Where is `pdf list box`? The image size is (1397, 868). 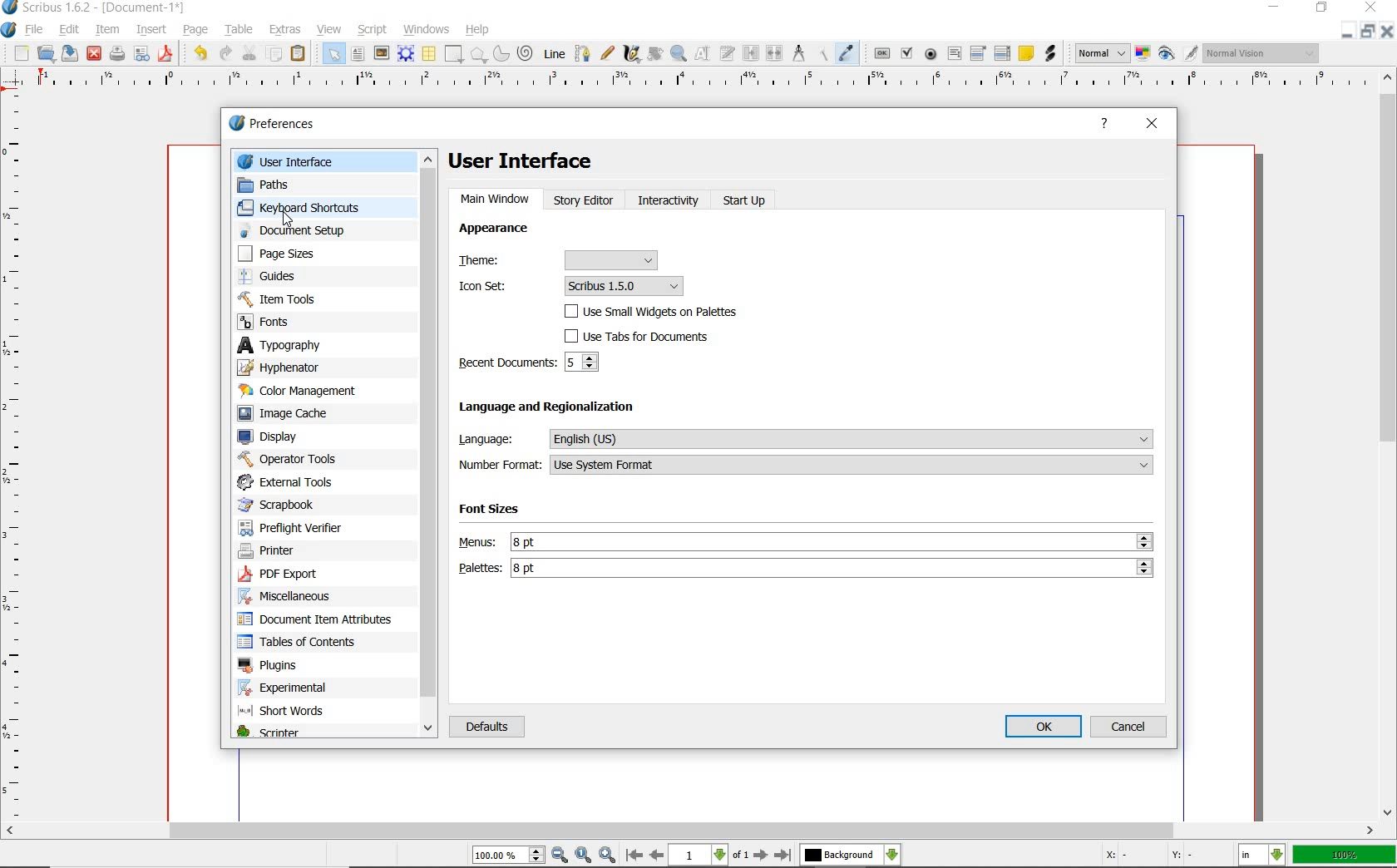 pdf list box is located at coordinates (1001, 54).